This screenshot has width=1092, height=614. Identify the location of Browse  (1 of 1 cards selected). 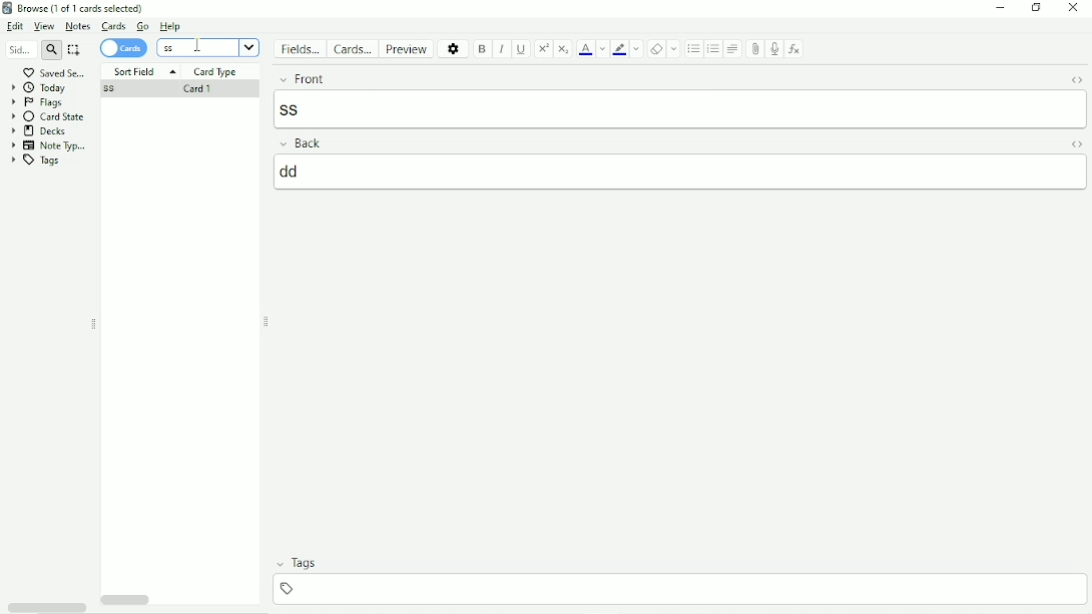
(86, 8).